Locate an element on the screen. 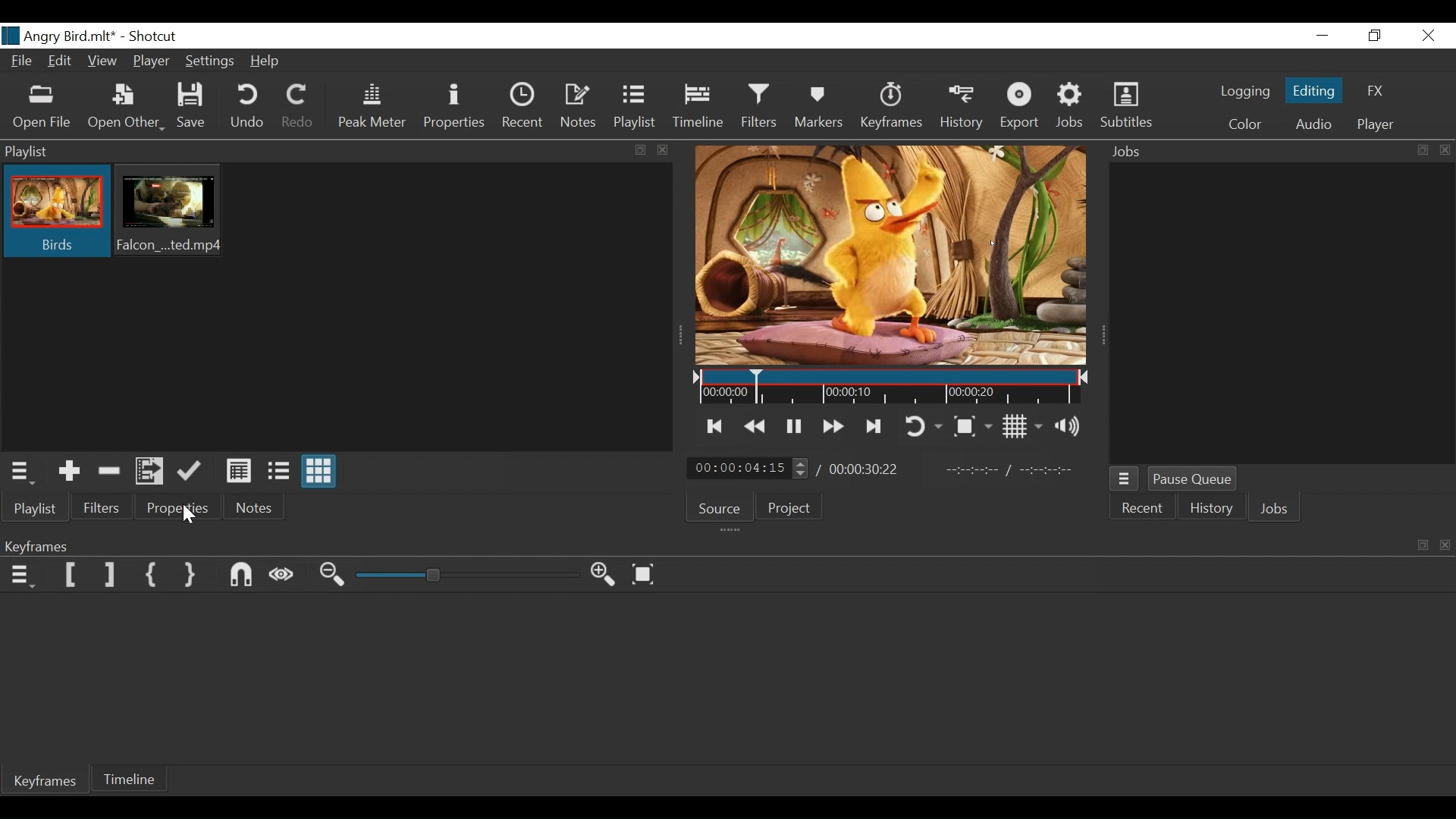 This screenshot has width=1456, height=819. Recent is located at coordinates (524, 106).